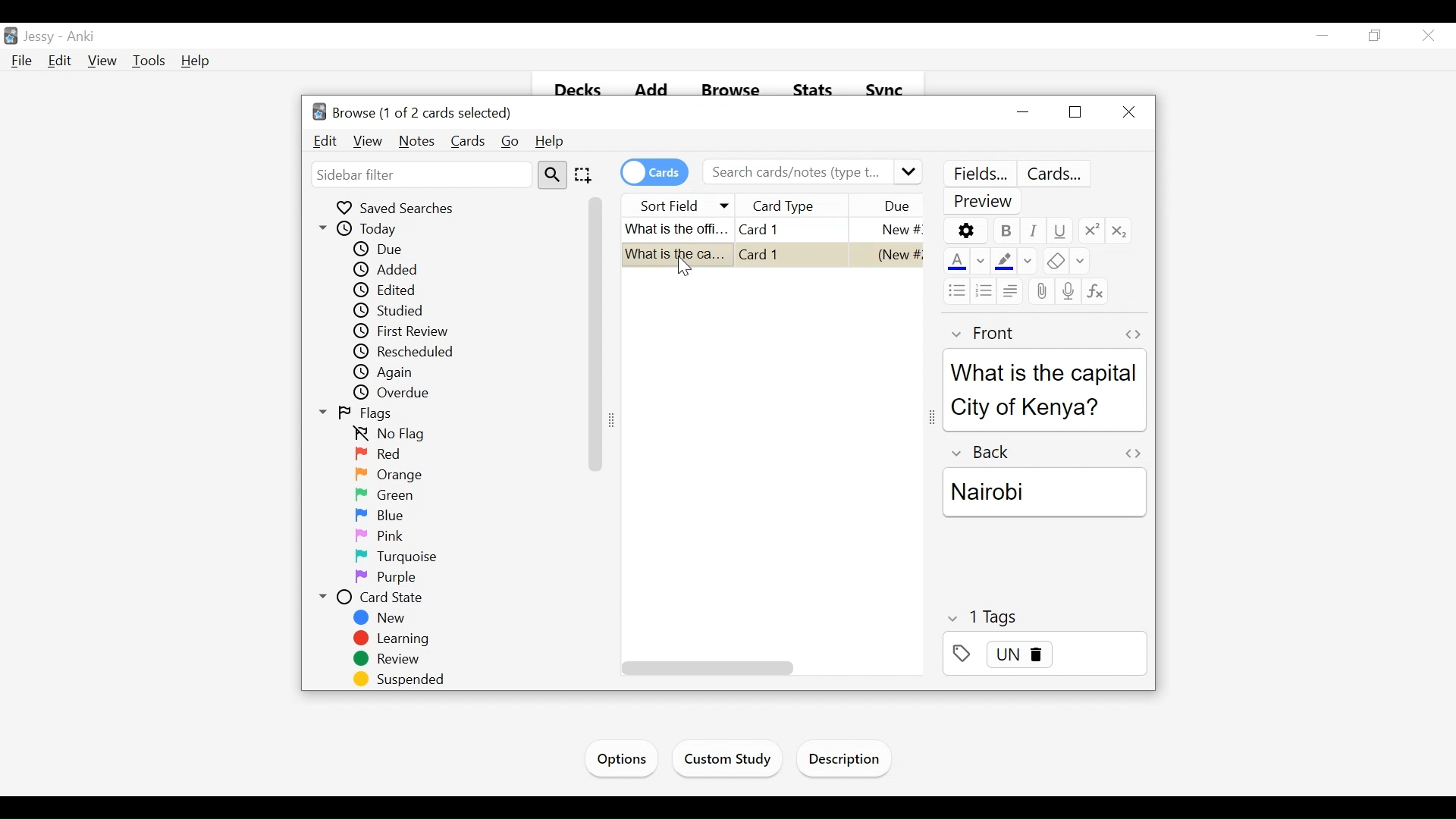  I want to click on Front Field, so click(1044, 406).